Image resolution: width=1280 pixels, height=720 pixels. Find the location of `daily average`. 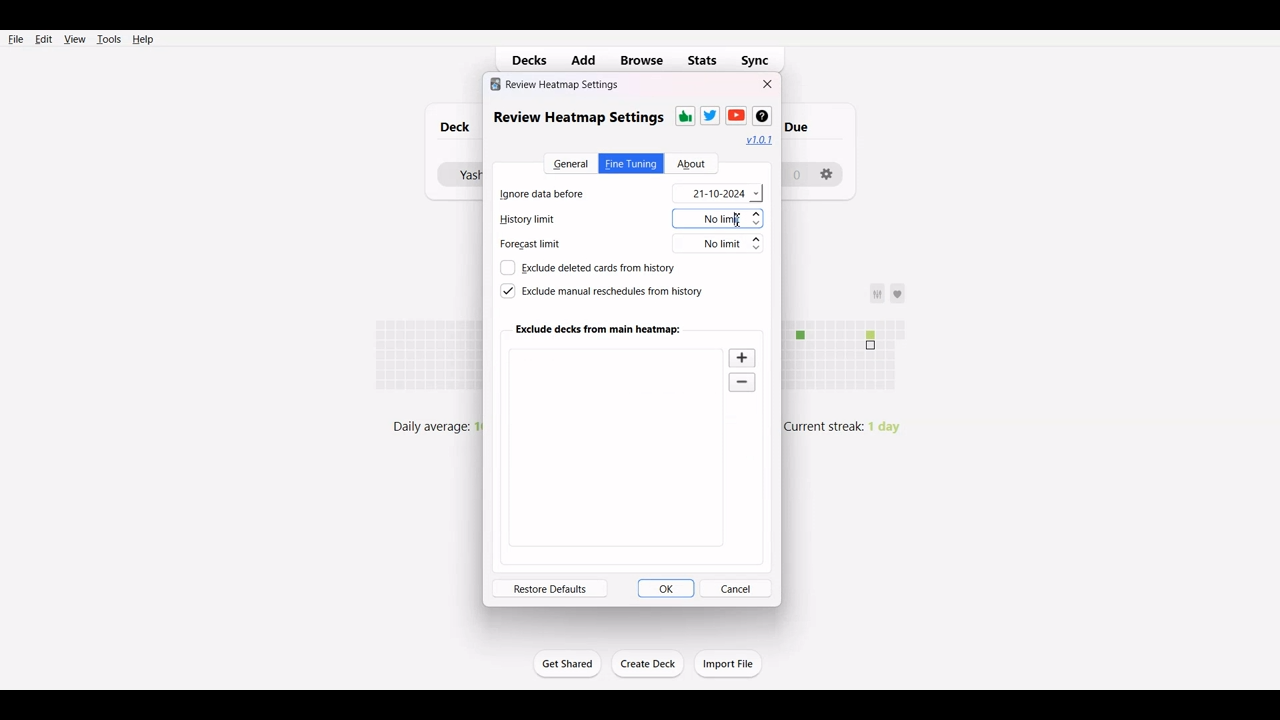

daily average is located at coordinates (431, 429).